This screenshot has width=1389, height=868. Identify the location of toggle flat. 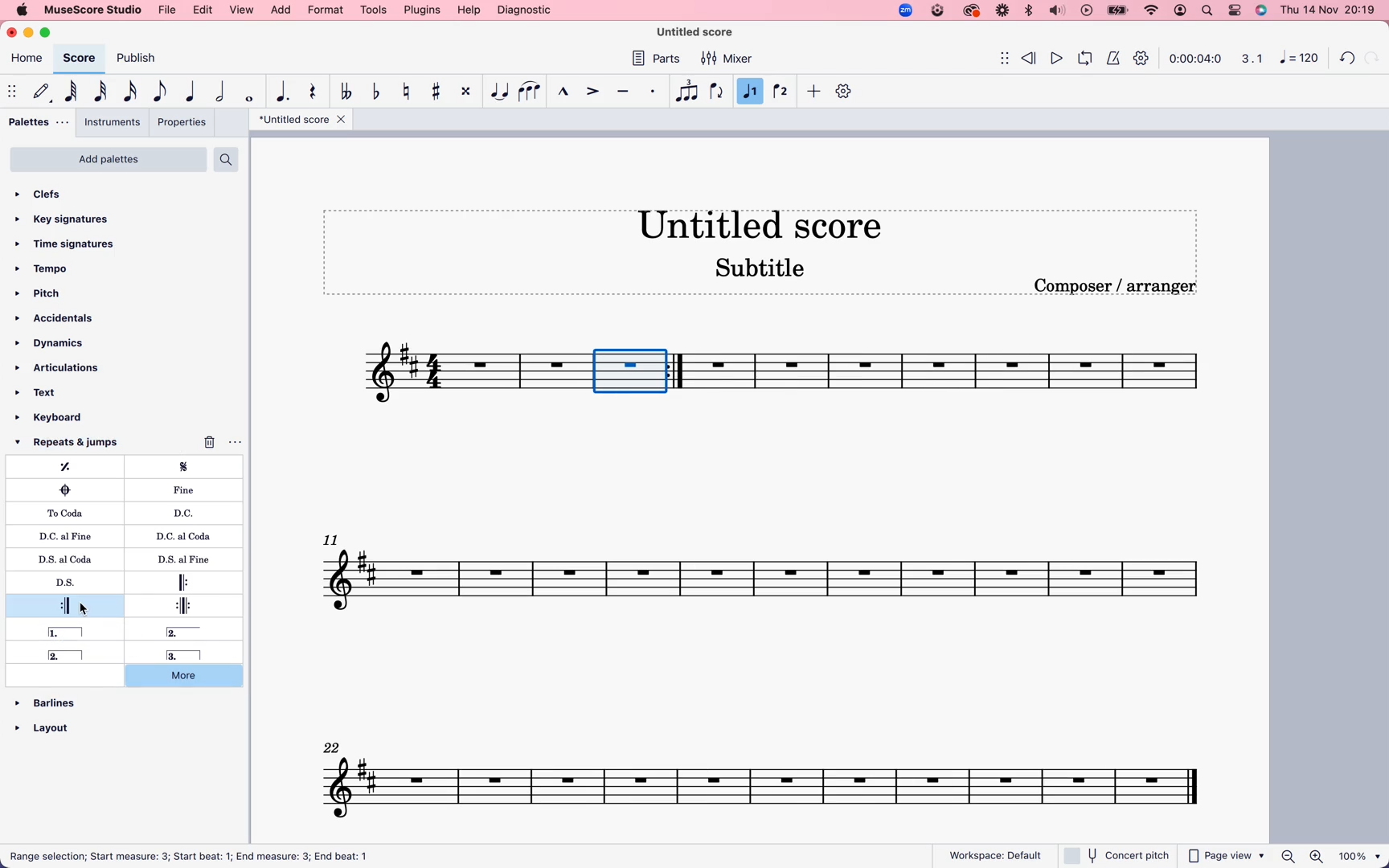
(379, 92).